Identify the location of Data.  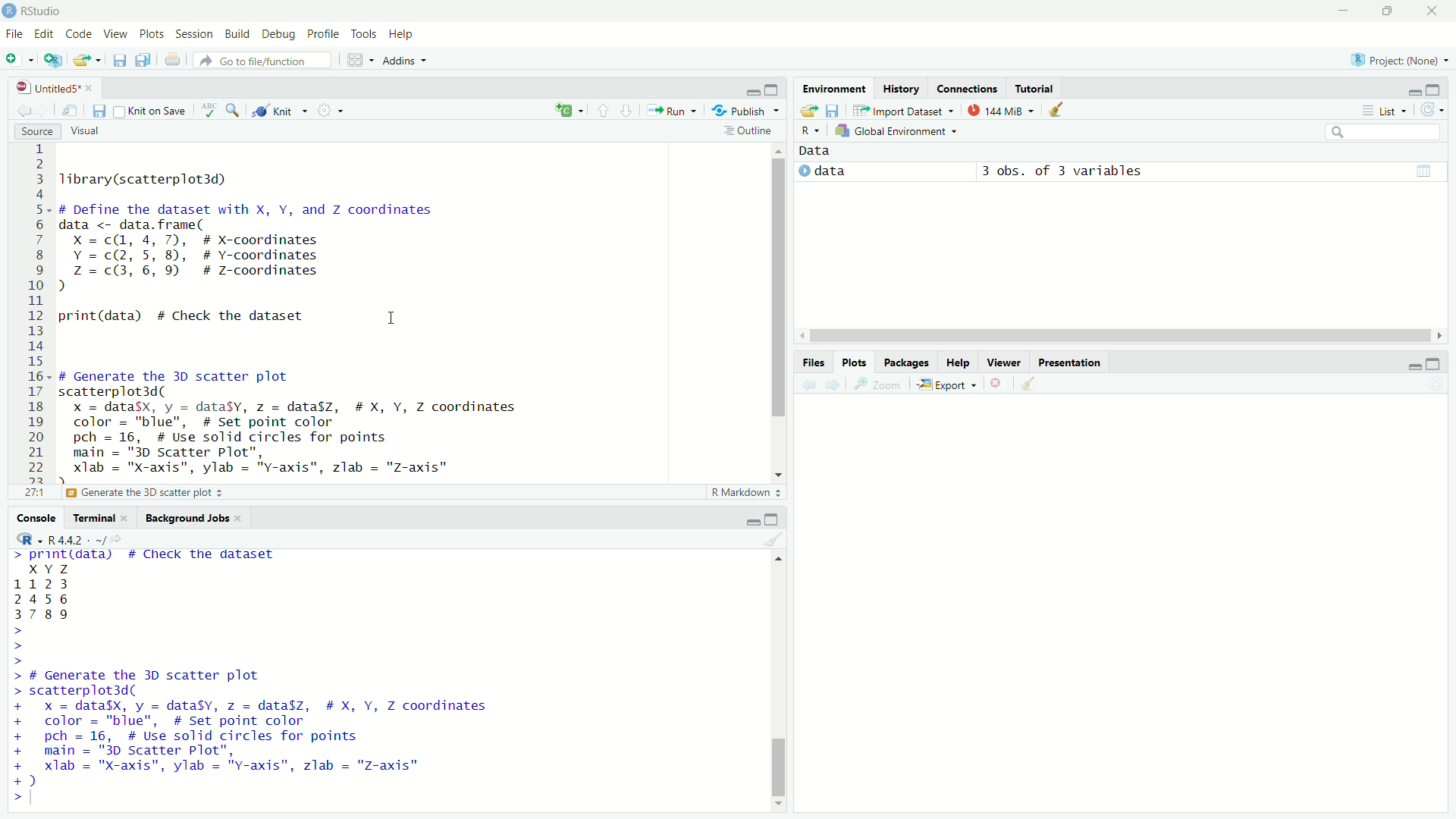
(824, 152).